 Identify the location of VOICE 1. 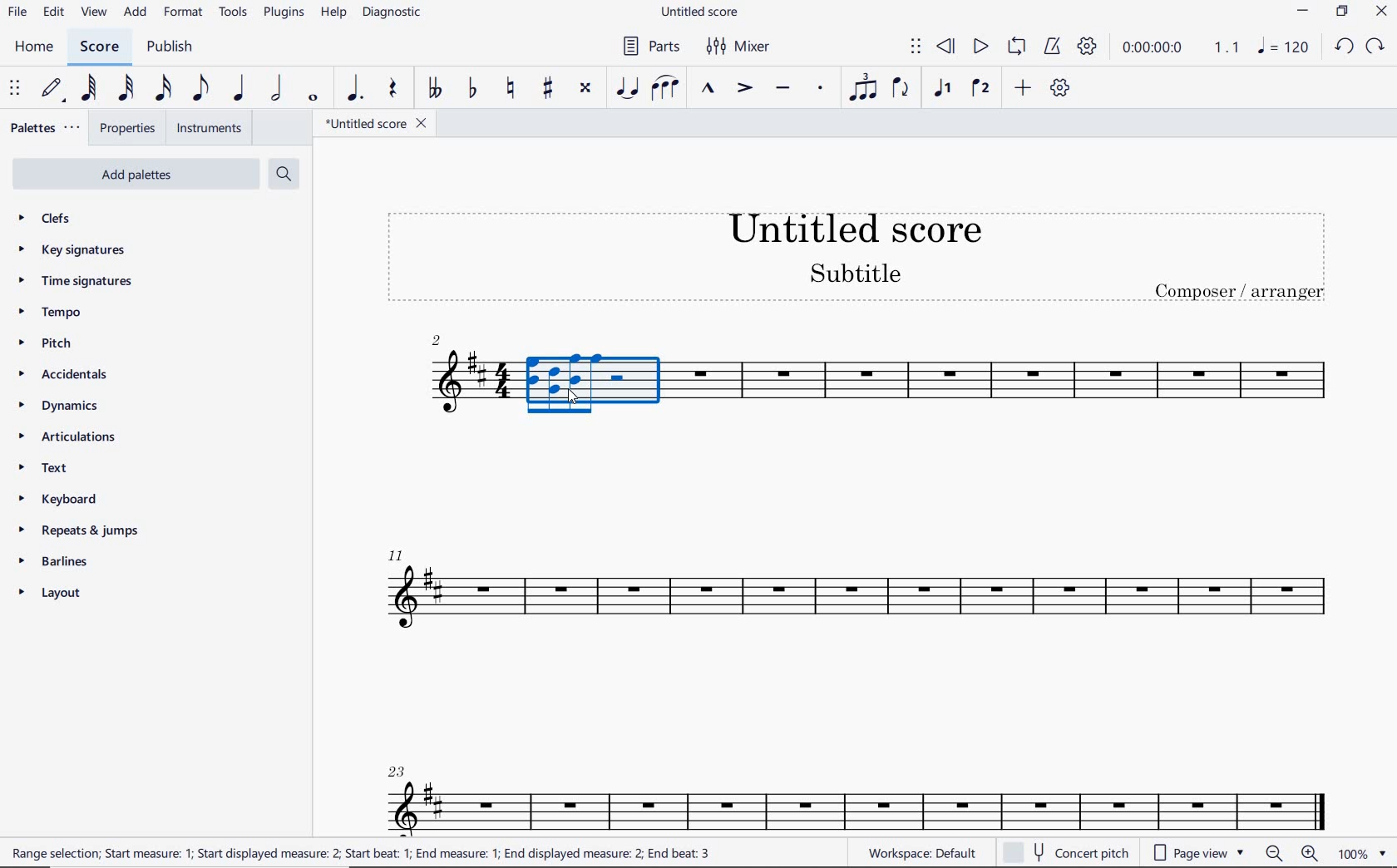
(941, 89).